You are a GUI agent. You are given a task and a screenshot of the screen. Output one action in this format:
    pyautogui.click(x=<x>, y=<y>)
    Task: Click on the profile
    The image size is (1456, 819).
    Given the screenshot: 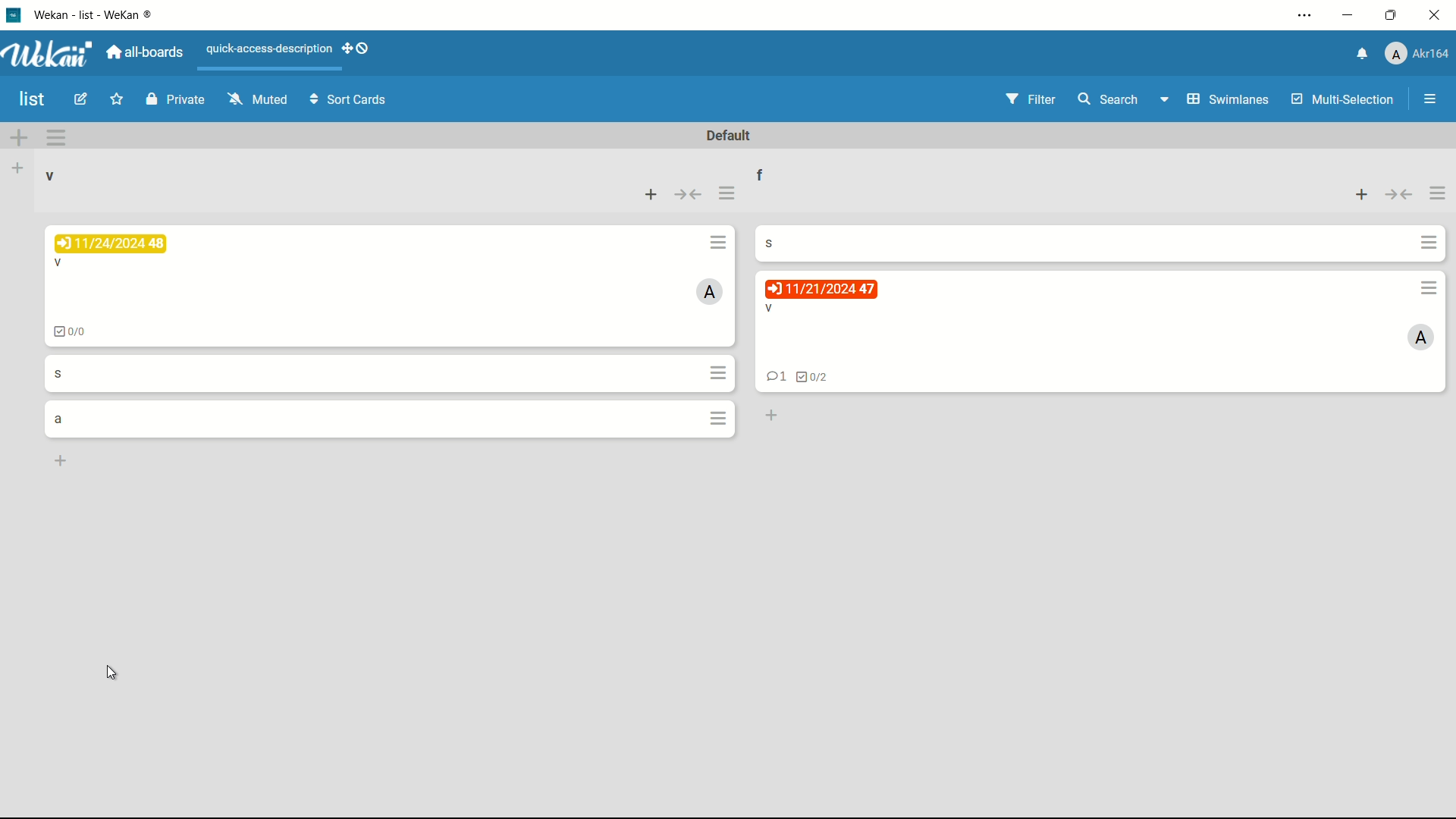 What is the action you would take?
    pyautogui.click(x=1419, y=54)
    